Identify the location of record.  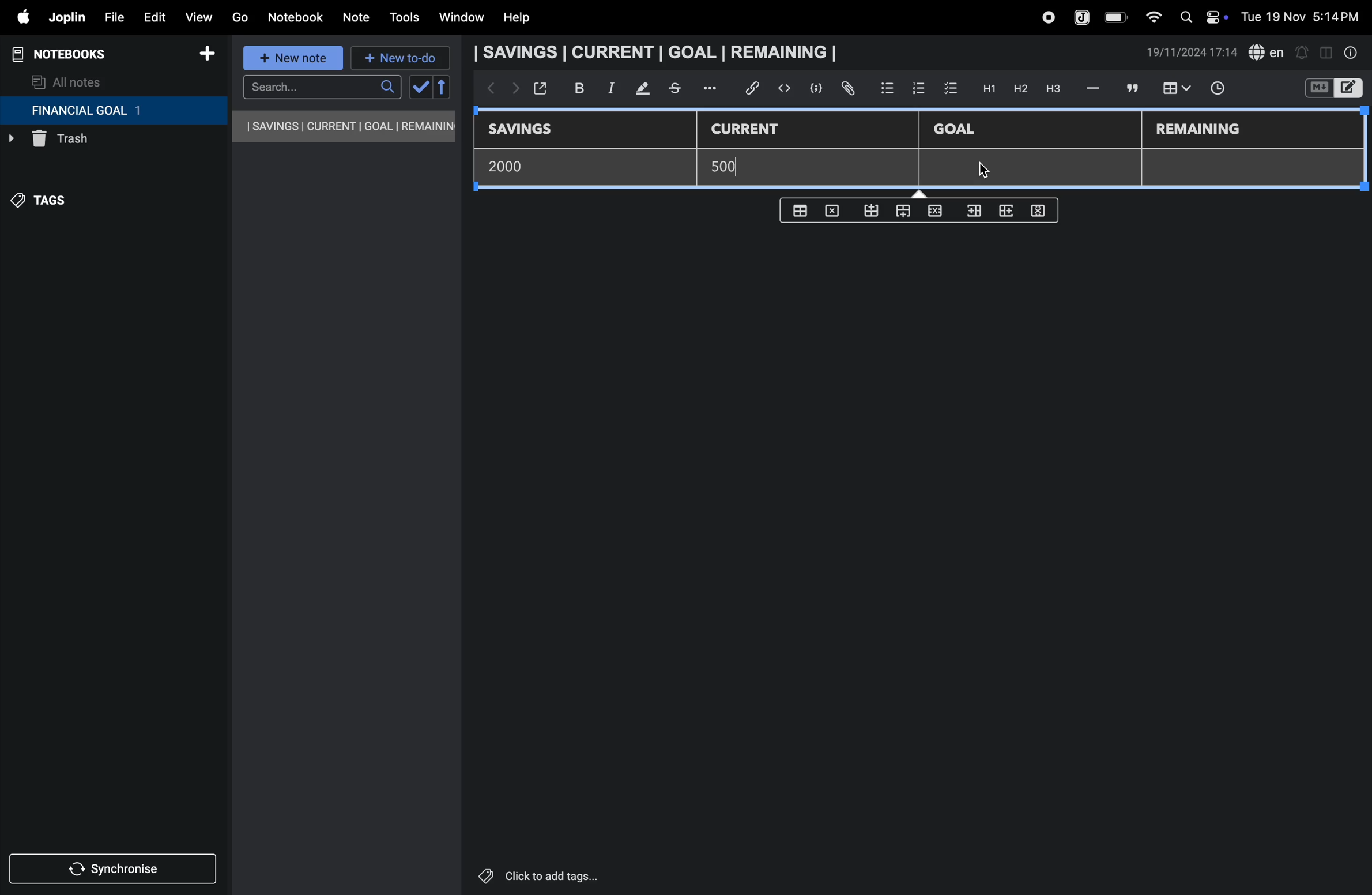
(1047, 17).